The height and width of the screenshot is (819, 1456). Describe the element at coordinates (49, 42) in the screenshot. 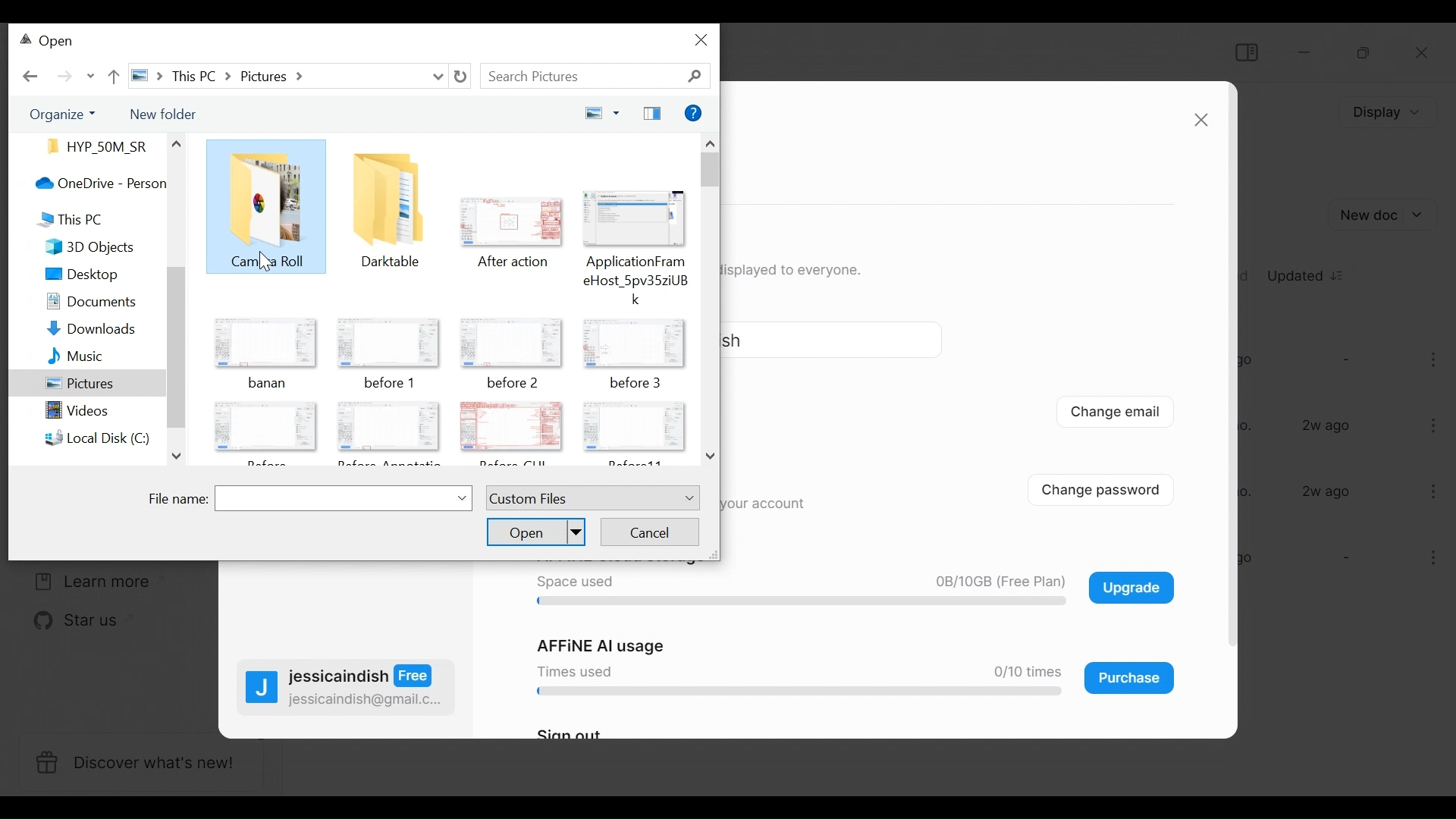

I see `Open` at that location.